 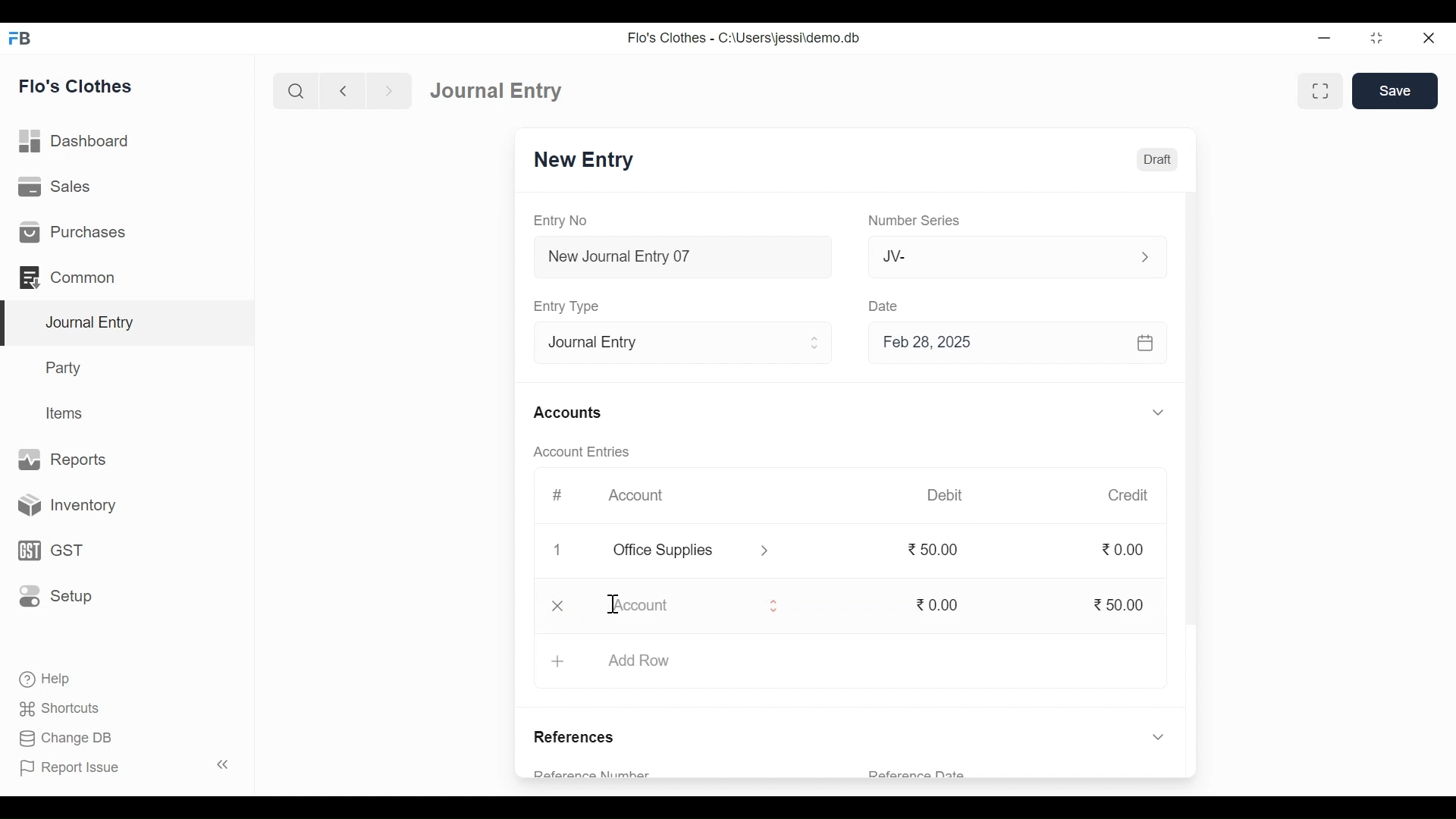 What do you see at coordinates (938, 604) in the screenshot?
I see `0.00` at bounding box center [938, 604].